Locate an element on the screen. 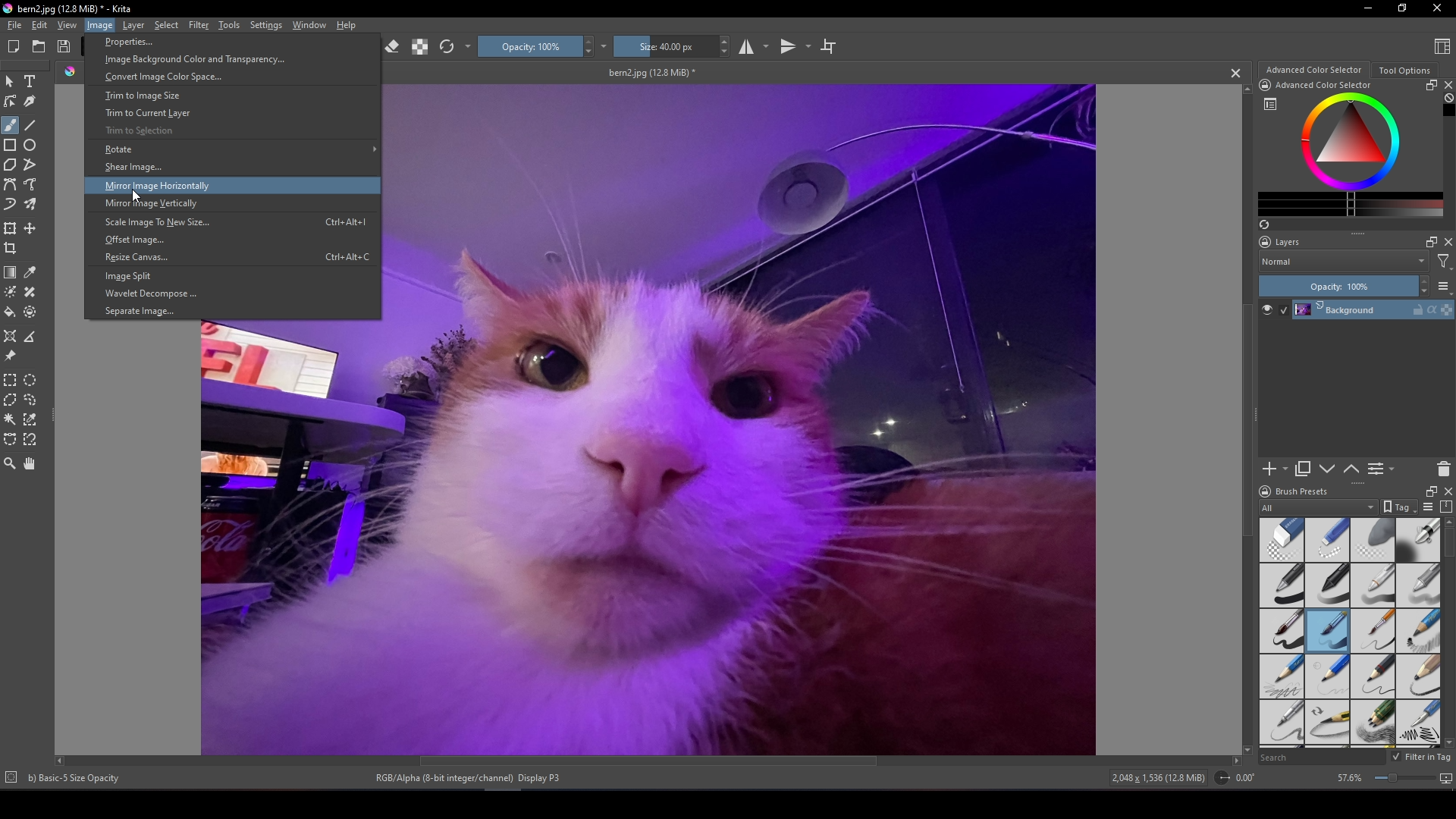 The image size is (1456, 819). Reference images tool is located at coordinates (9, 356).